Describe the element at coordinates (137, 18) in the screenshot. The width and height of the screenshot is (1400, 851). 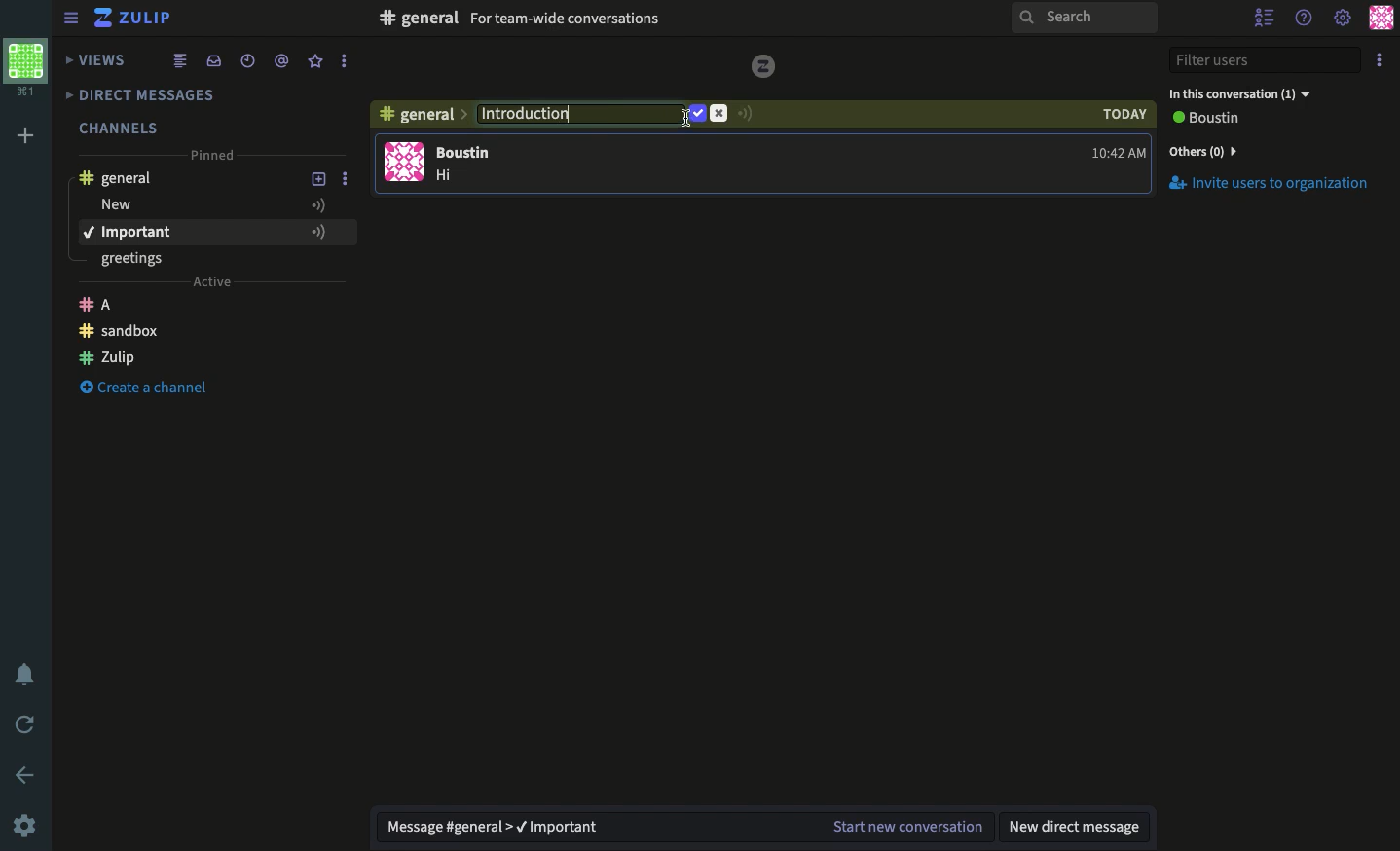
I see `Zulip` at that location.